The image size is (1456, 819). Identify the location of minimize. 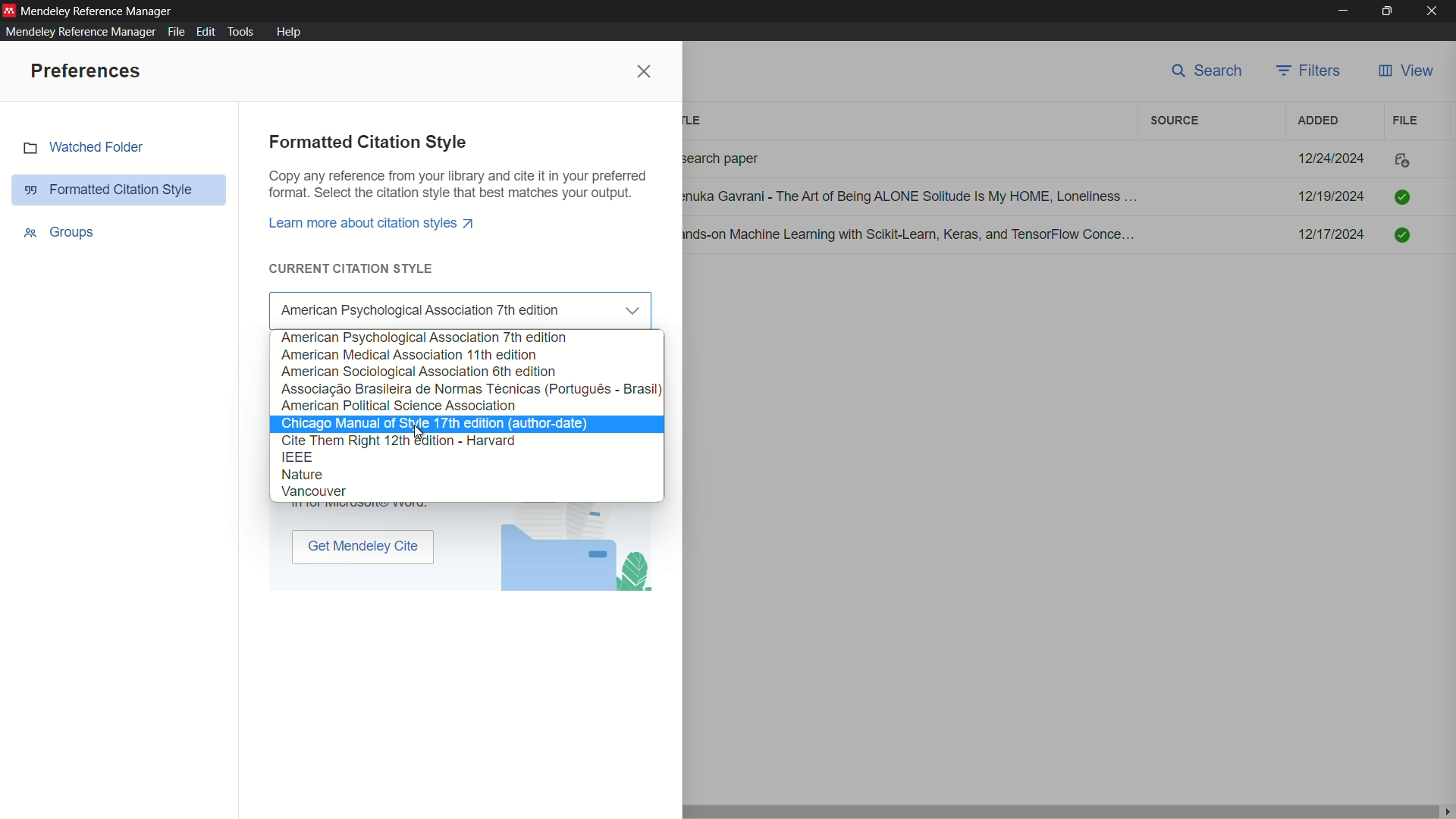
(1341, 11).